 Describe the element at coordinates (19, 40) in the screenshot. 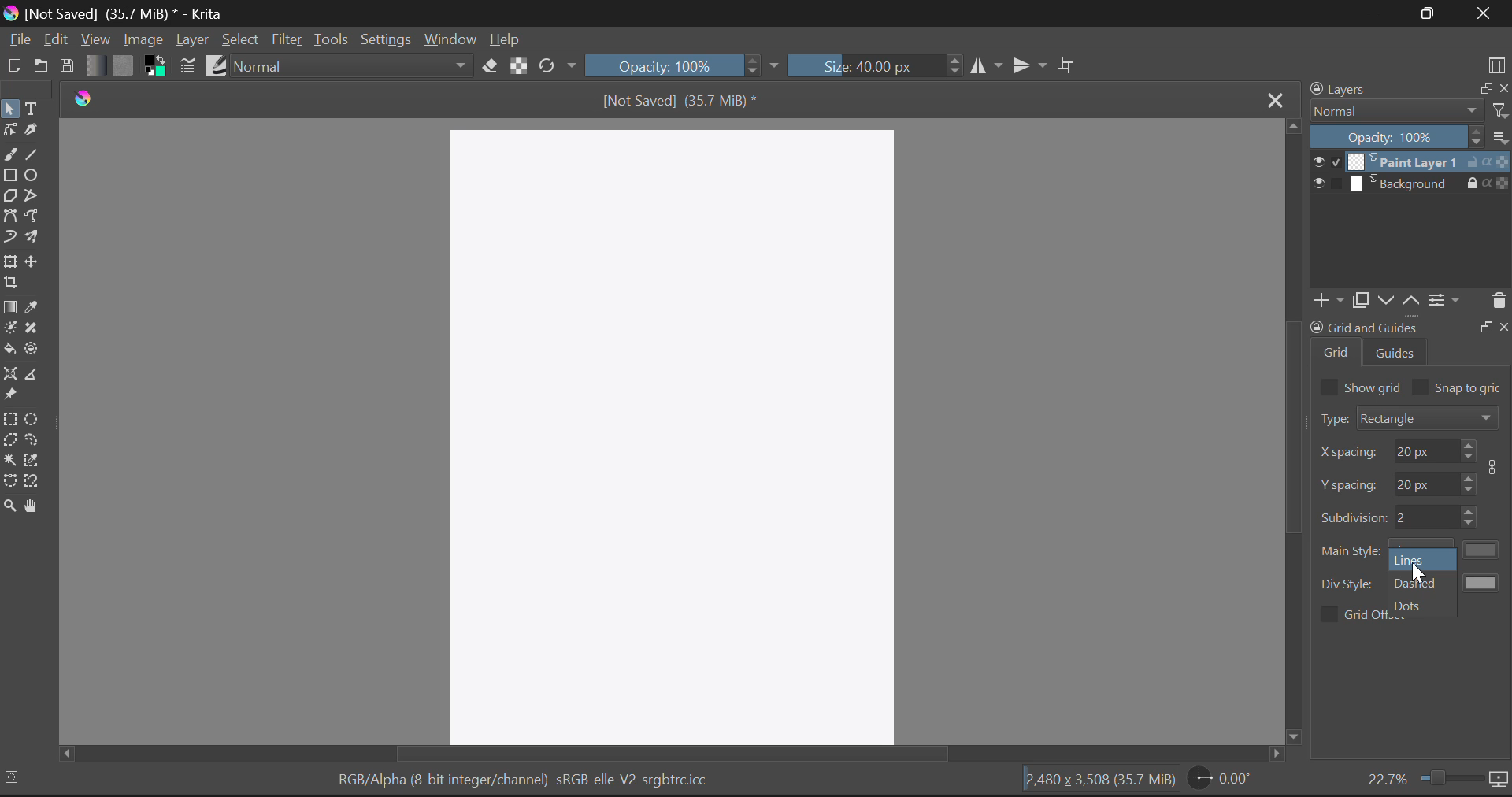

I see `File` at that location.